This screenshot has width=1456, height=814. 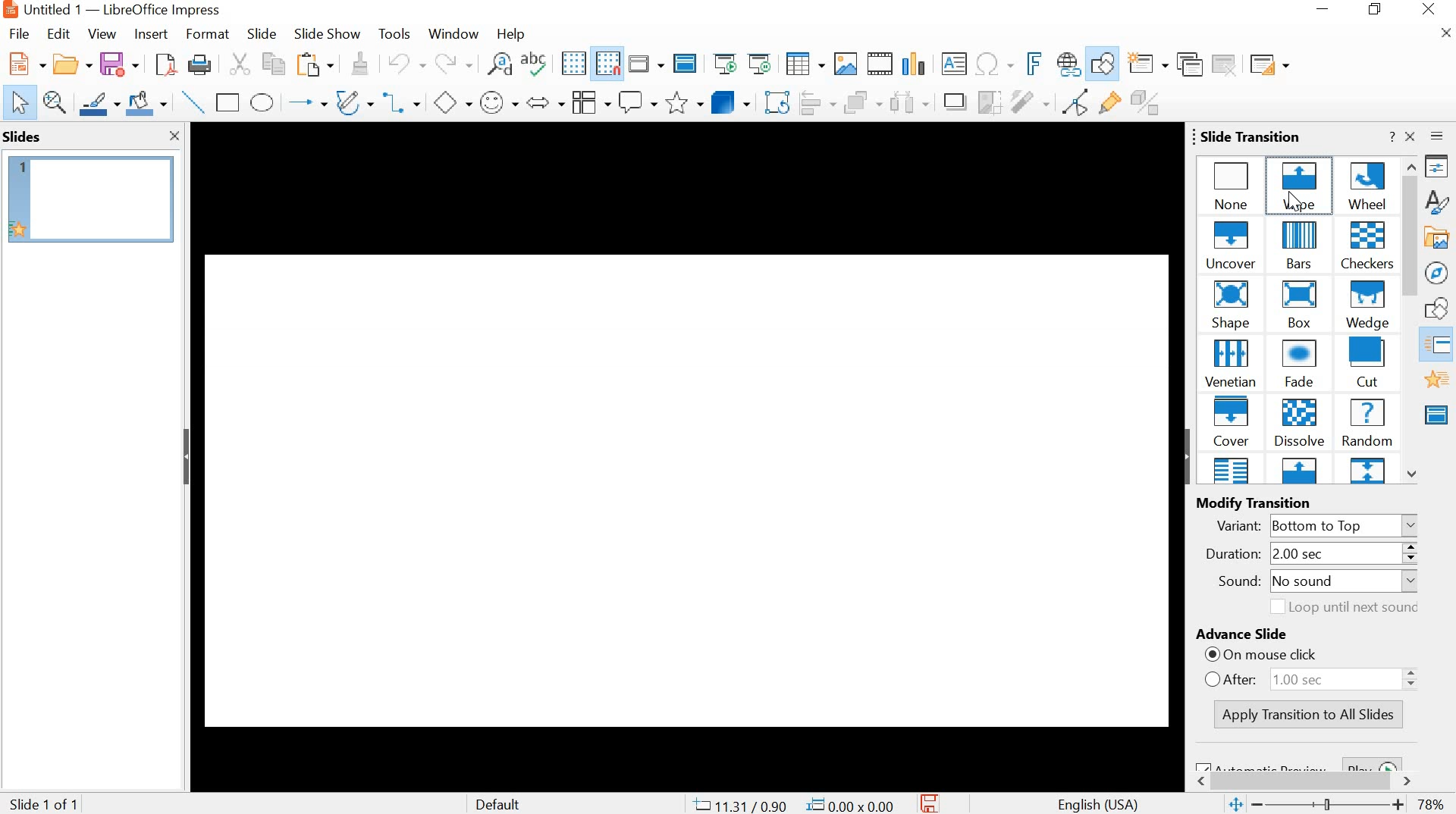 I want to click on wipe transition added, so click(x=92, y=199).